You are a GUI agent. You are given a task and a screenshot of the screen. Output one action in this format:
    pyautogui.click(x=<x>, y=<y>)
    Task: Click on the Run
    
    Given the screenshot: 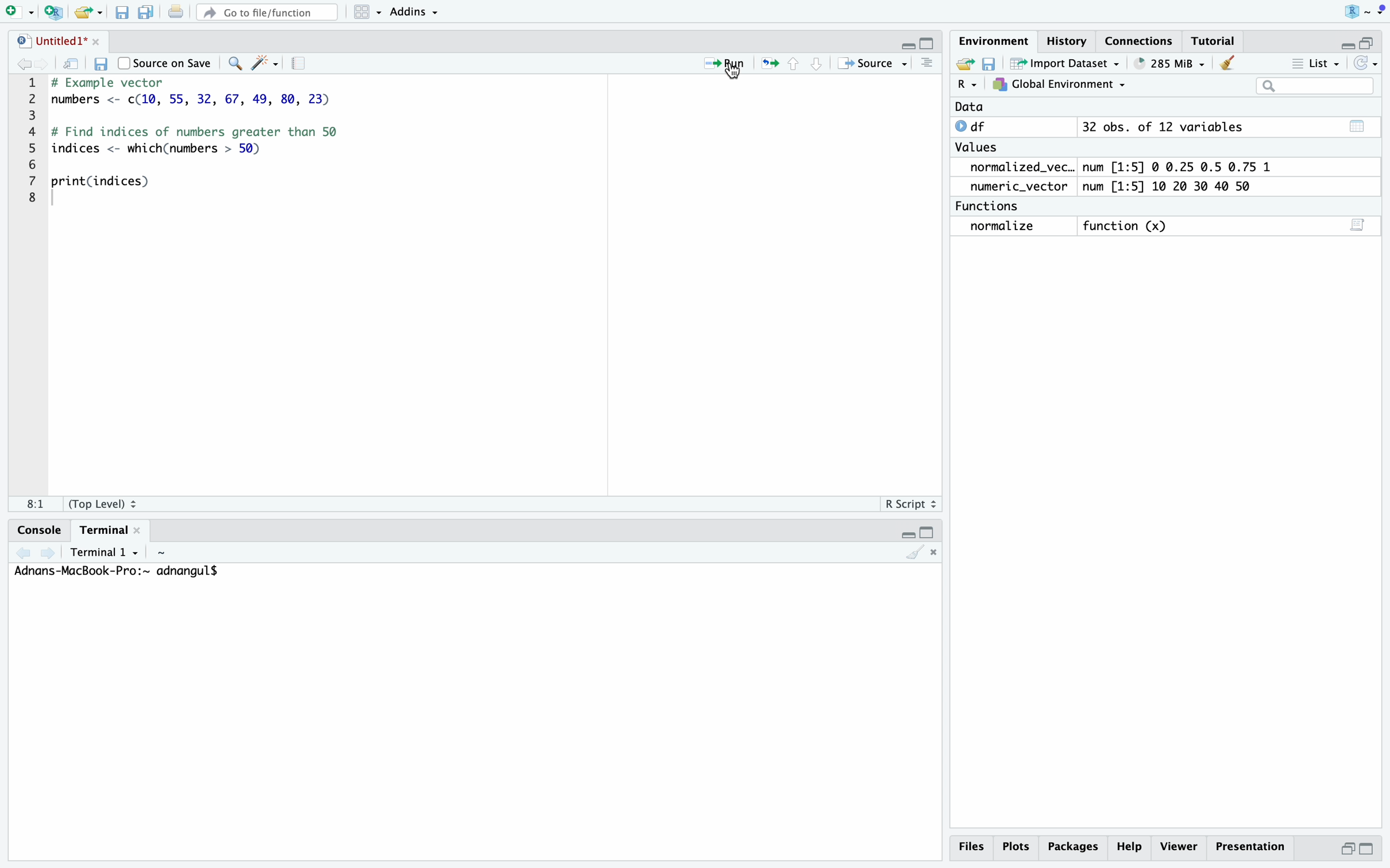 What is the action you would take?
    pyautogui.click(x=716, y=61)
    